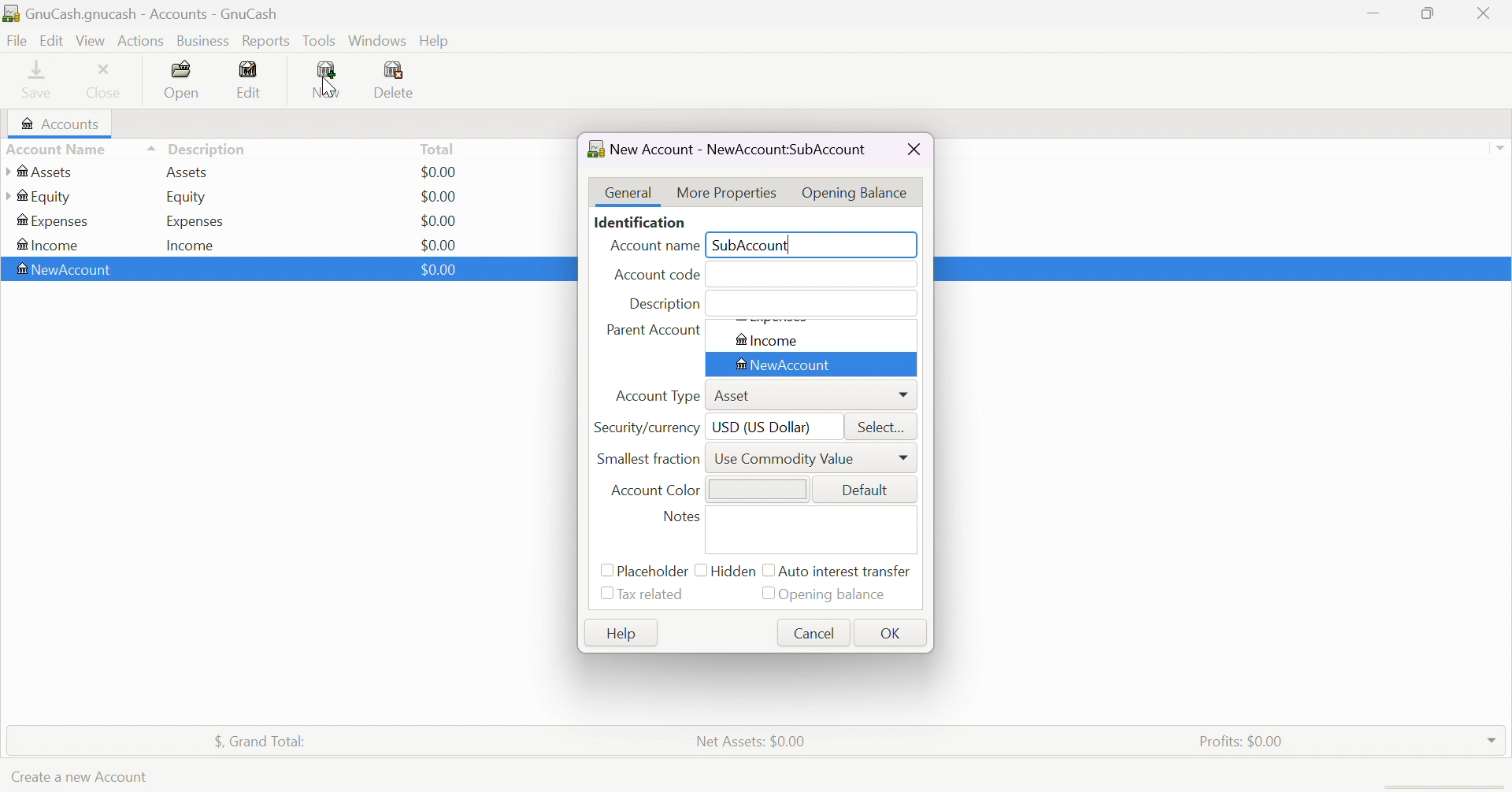  Describe the element at coordinates (658, 397) in the screenshot. I see `Account Type` at that location.